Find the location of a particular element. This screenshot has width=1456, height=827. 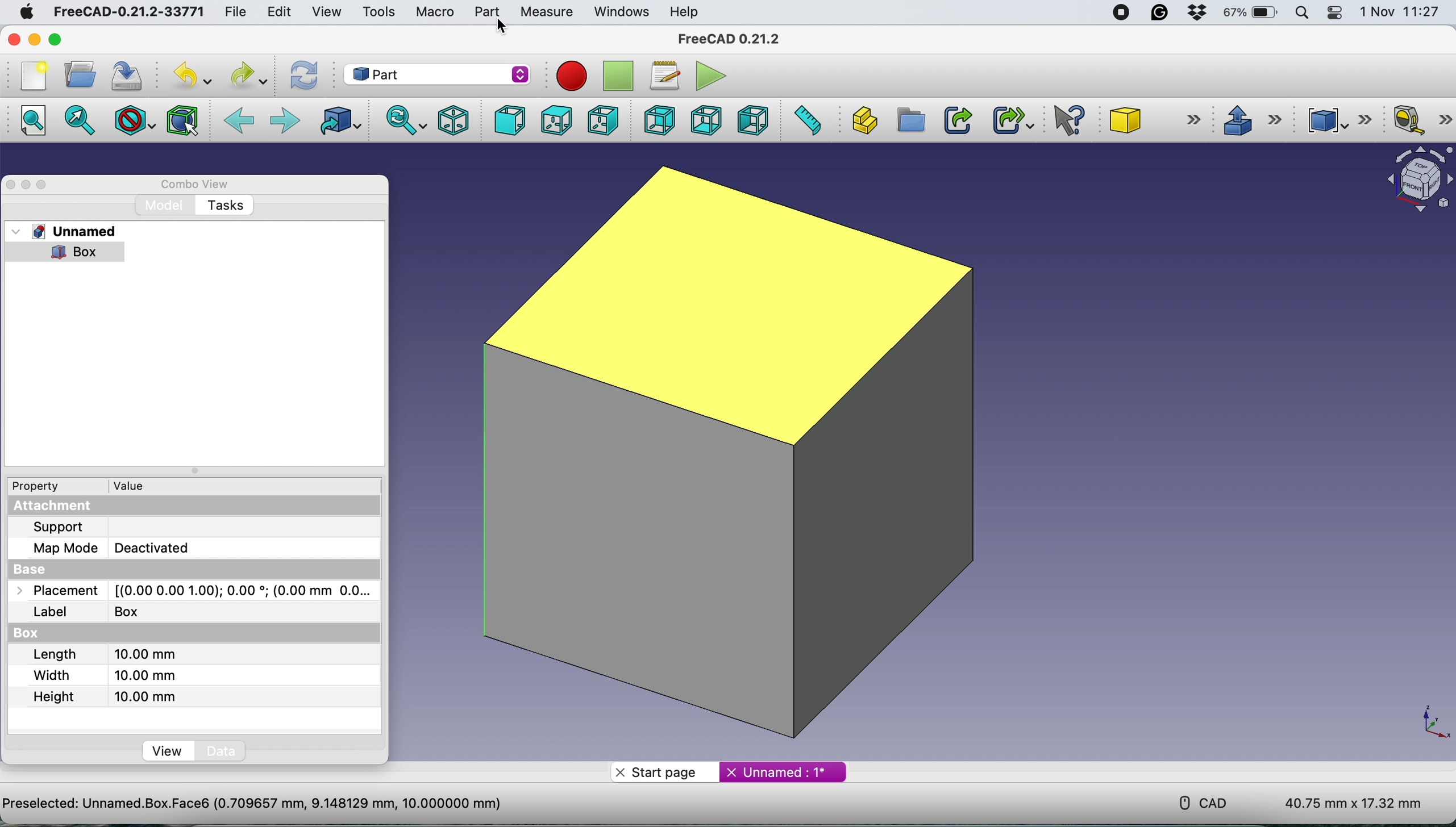

date and time is located at coordinates (1397, 12).